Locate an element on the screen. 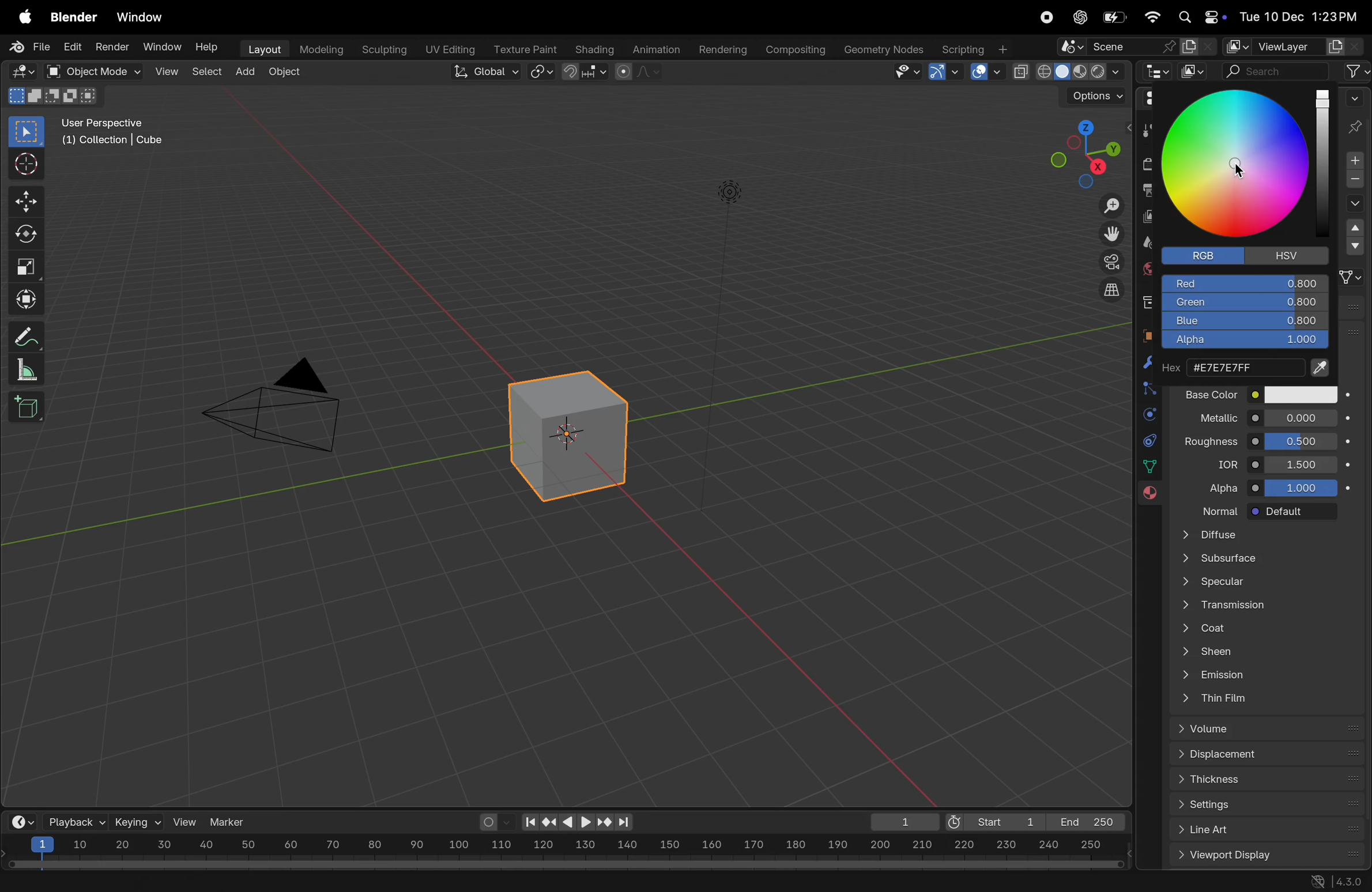 Image resolution: width=1372 pixels, height=892 pixels. bound is located at coordinates (1146, 387).